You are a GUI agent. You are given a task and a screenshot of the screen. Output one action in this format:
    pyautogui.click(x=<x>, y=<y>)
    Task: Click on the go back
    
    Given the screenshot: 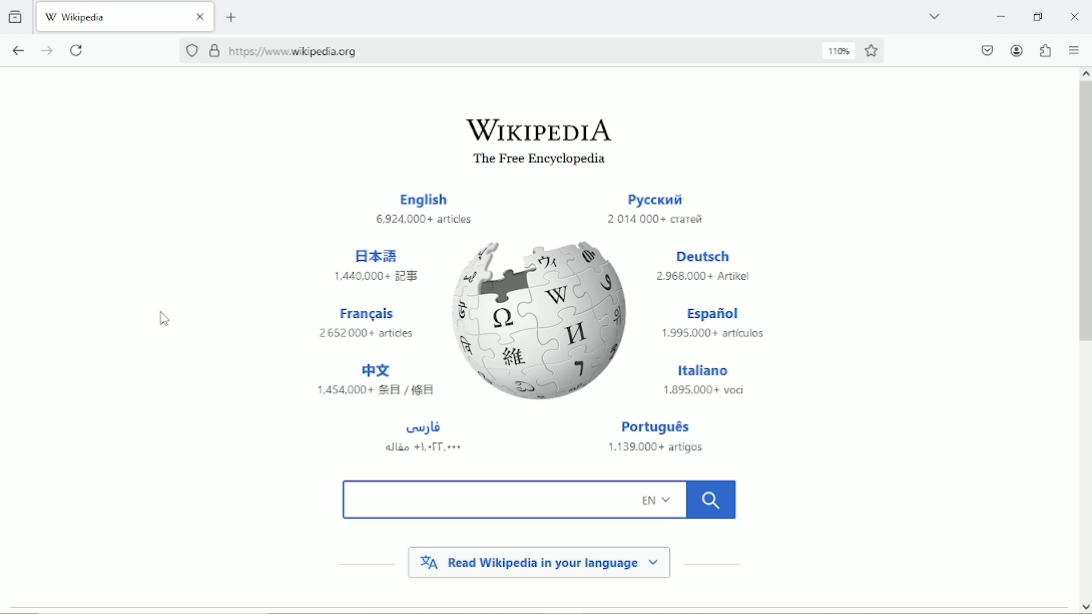 What is the action you would take?
    pyautogui.click(x=19, y=49)
    